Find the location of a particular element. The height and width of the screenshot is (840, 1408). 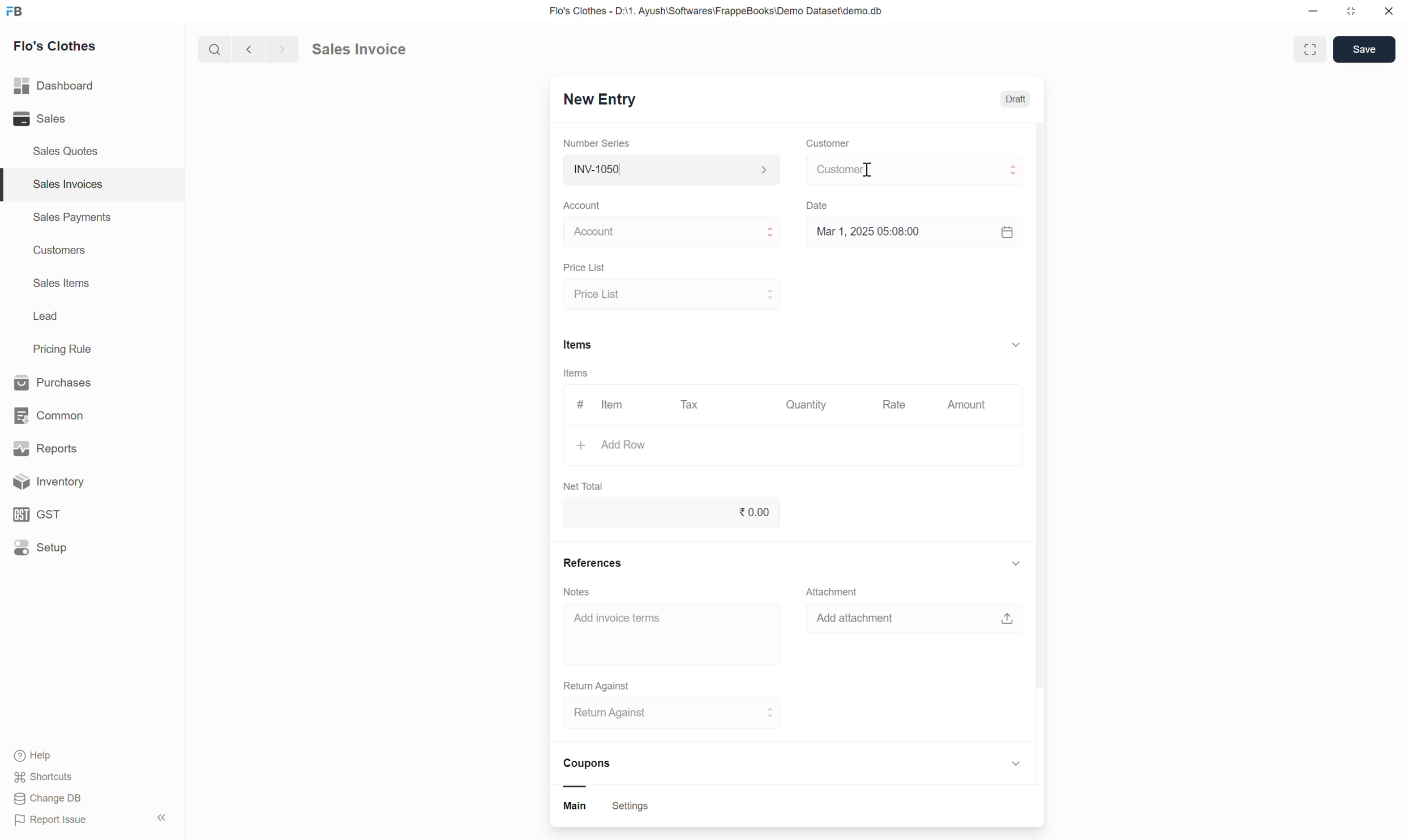

Change DB is located at coordinates (50, 800).